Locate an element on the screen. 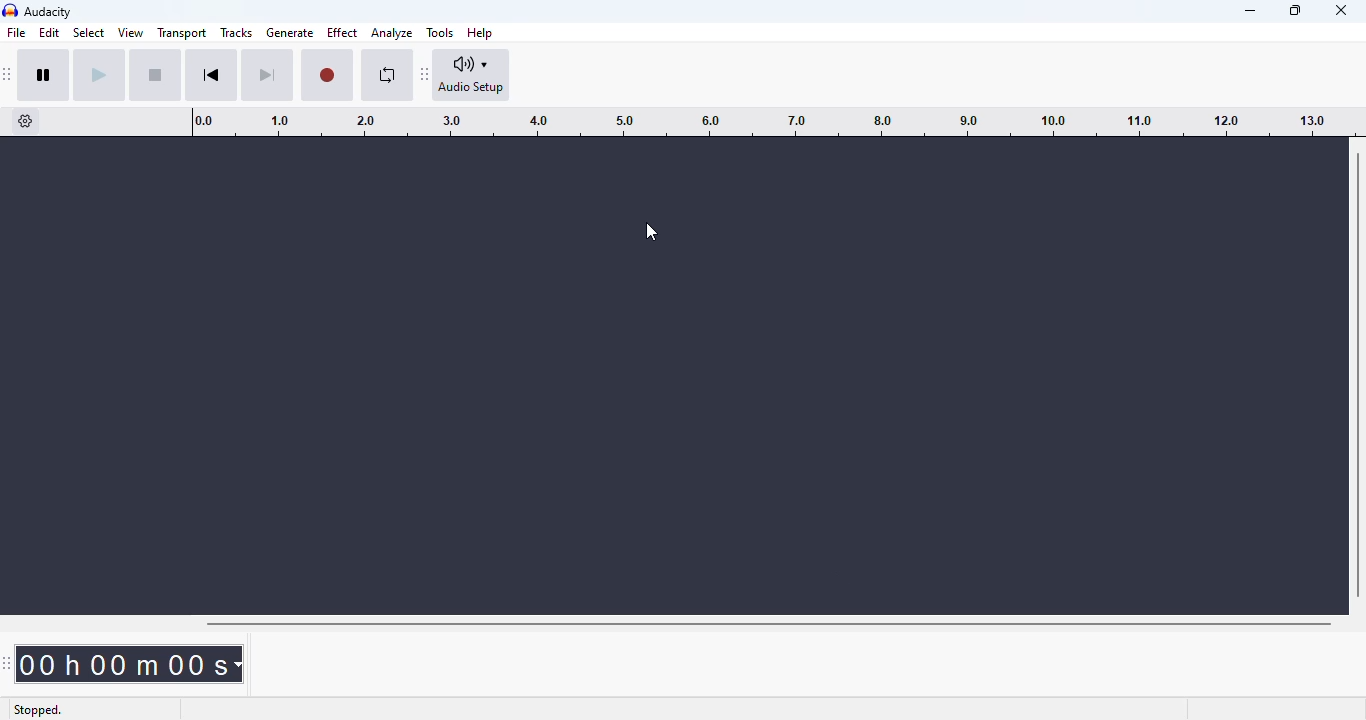 The height and width of the screenshot is (720, 1366). generate is located at coordinates (291, 33).